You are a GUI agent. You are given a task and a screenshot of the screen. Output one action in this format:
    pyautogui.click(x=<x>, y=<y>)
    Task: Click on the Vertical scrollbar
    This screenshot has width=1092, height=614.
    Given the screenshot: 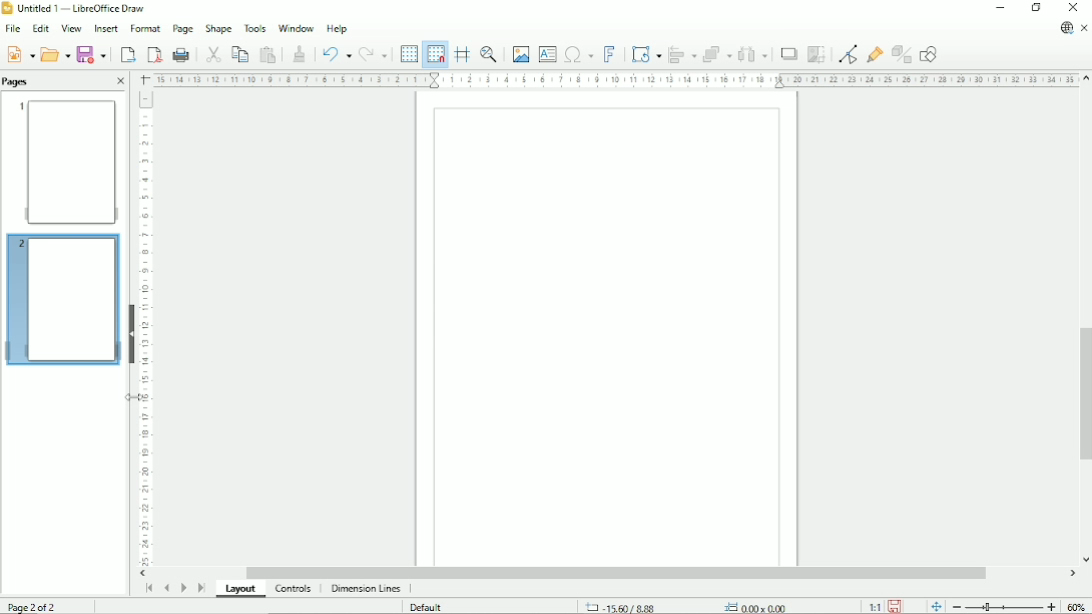 What is the action you would take?
    pyautogui.click(x=1082, y=395)
    